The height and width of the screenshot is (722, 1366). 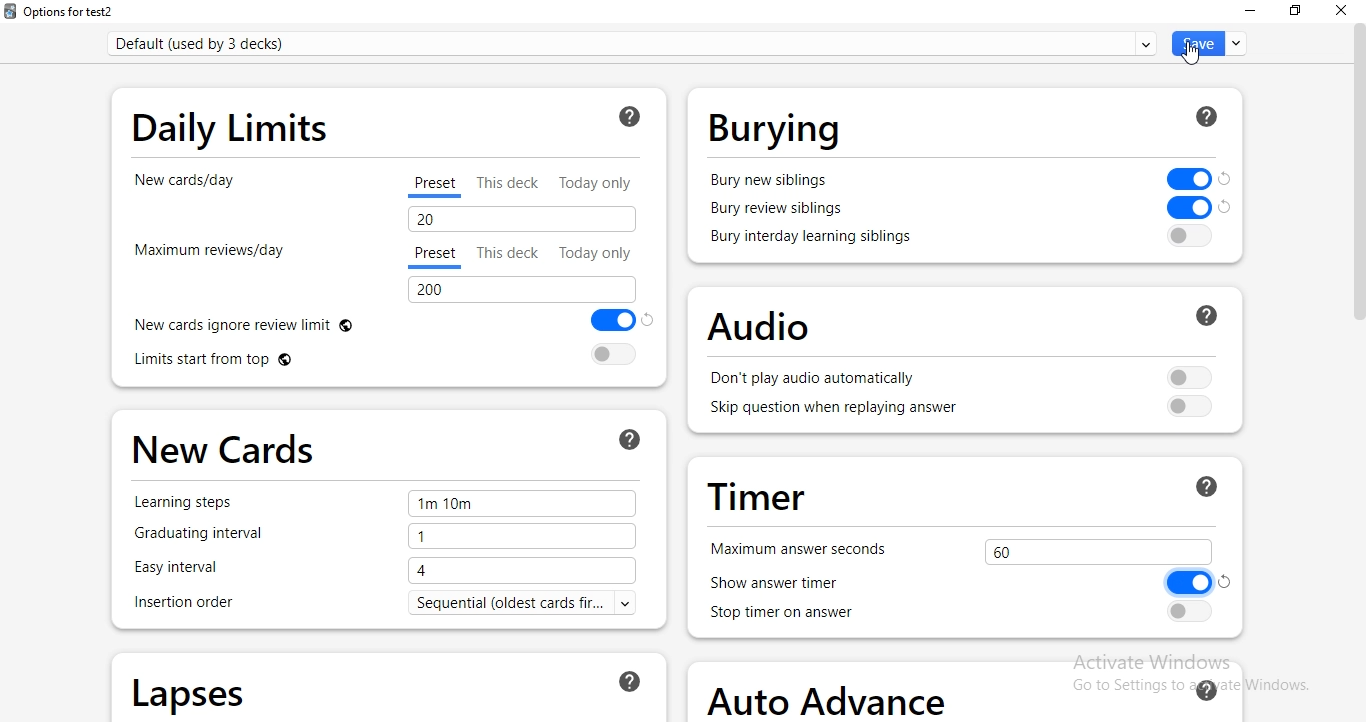 I want to click on 20, so click(x=519, y=218).